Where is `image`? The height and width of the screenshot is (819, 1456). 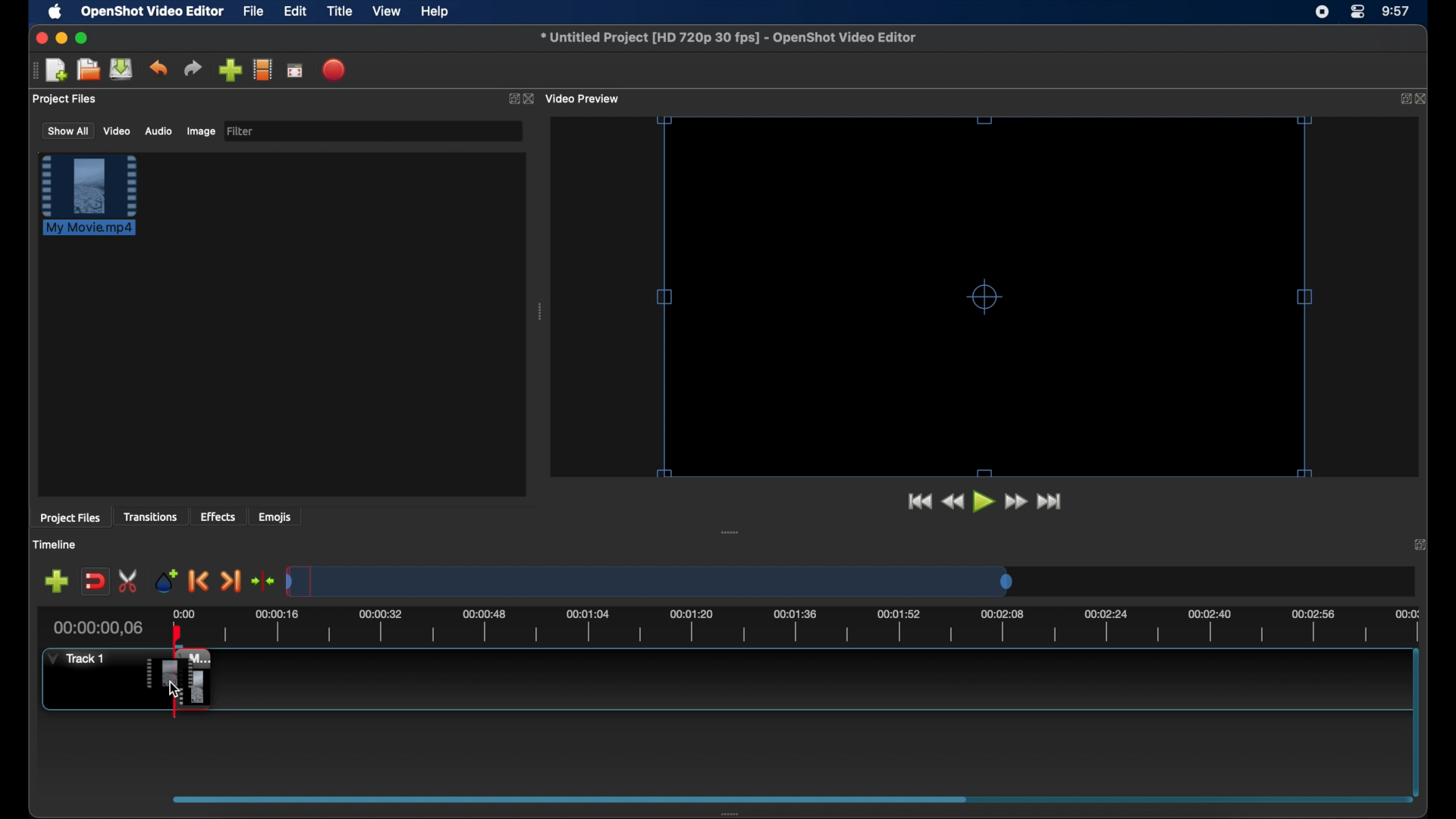 image is located at coordinates (200, 133).